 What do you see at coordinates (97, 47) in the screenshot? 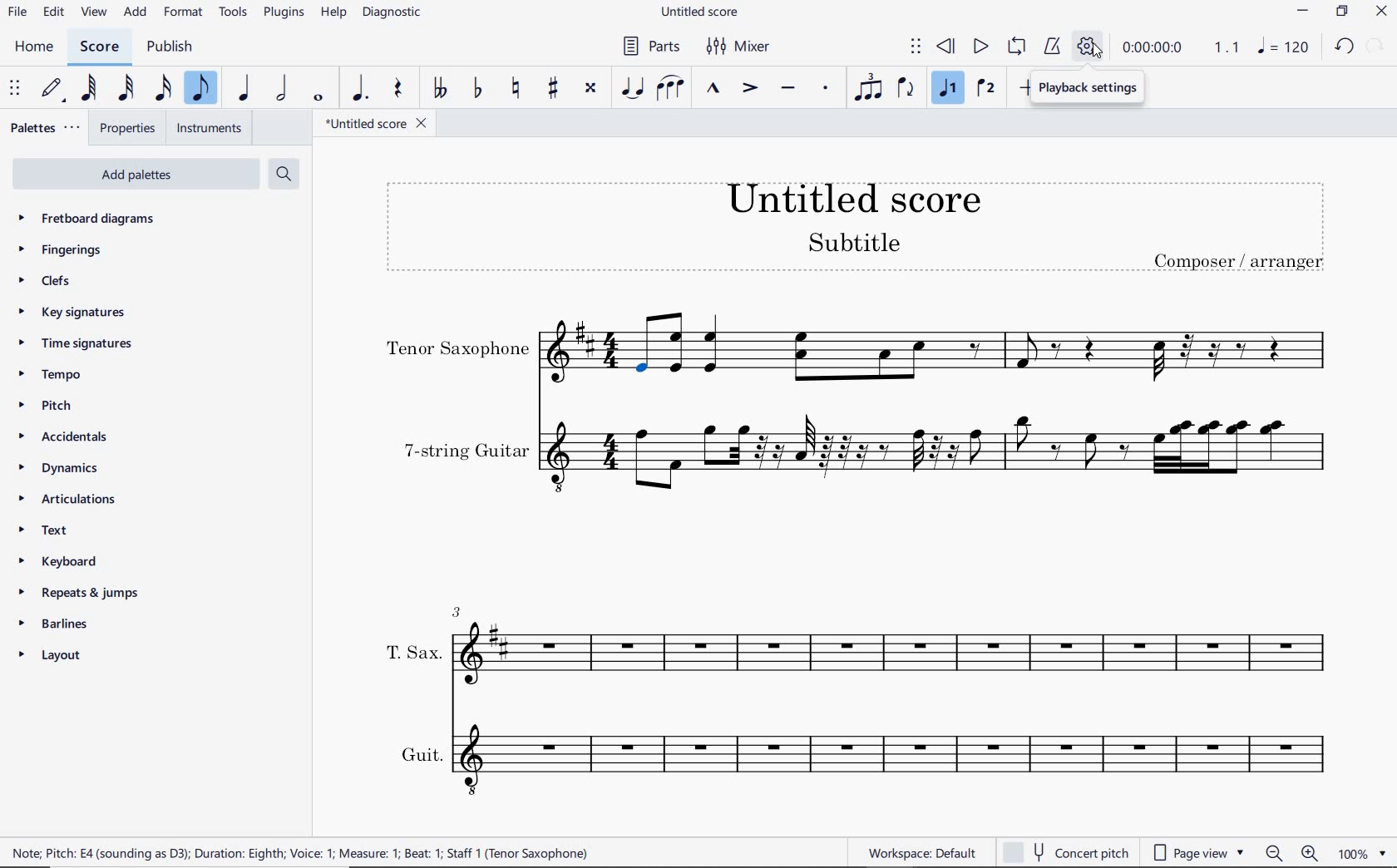
I see `SCORE` at bounding box center [97, 47].